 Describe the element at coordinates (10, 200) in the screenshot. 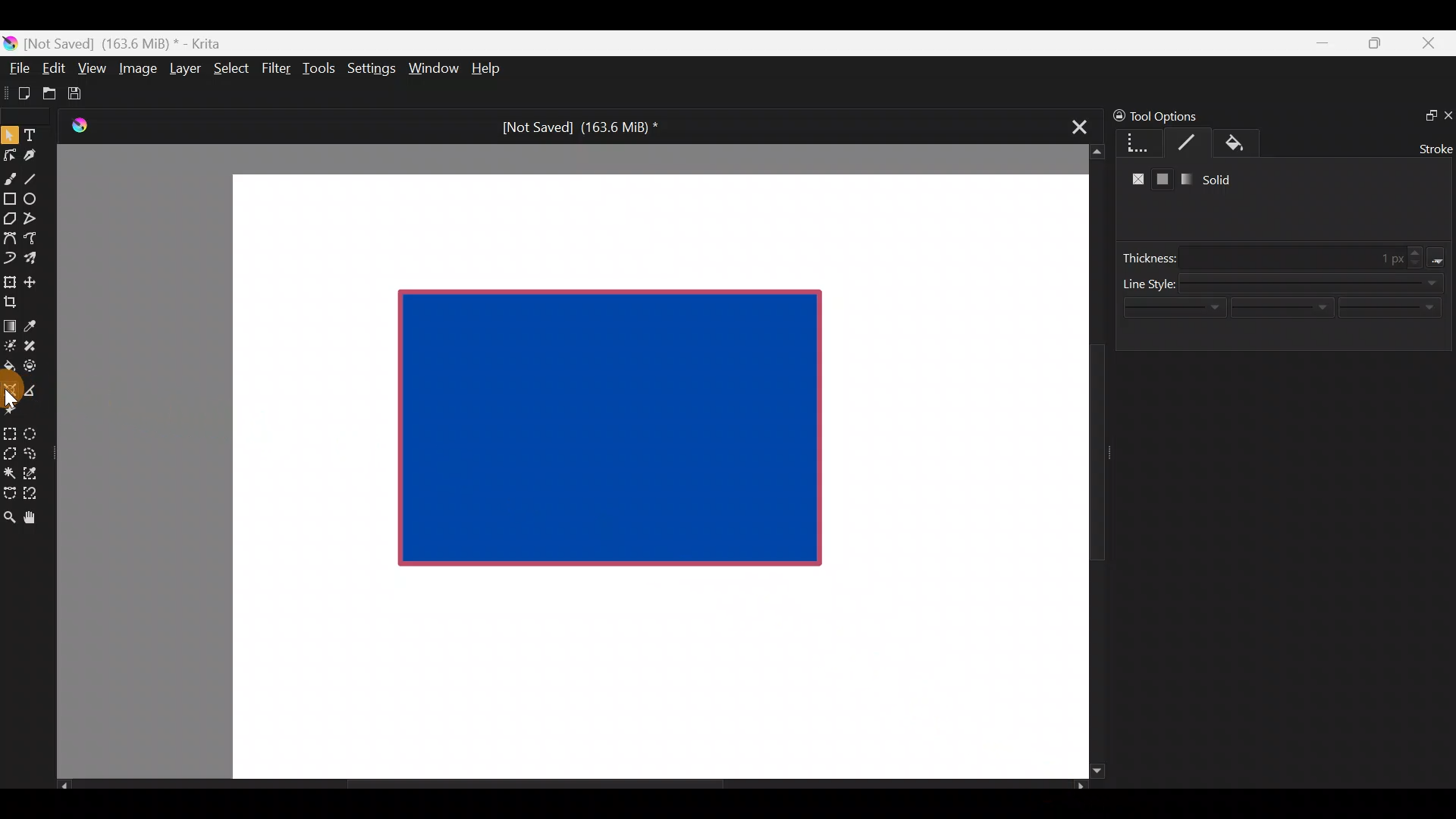

I see `Rectangle tool` at that location.